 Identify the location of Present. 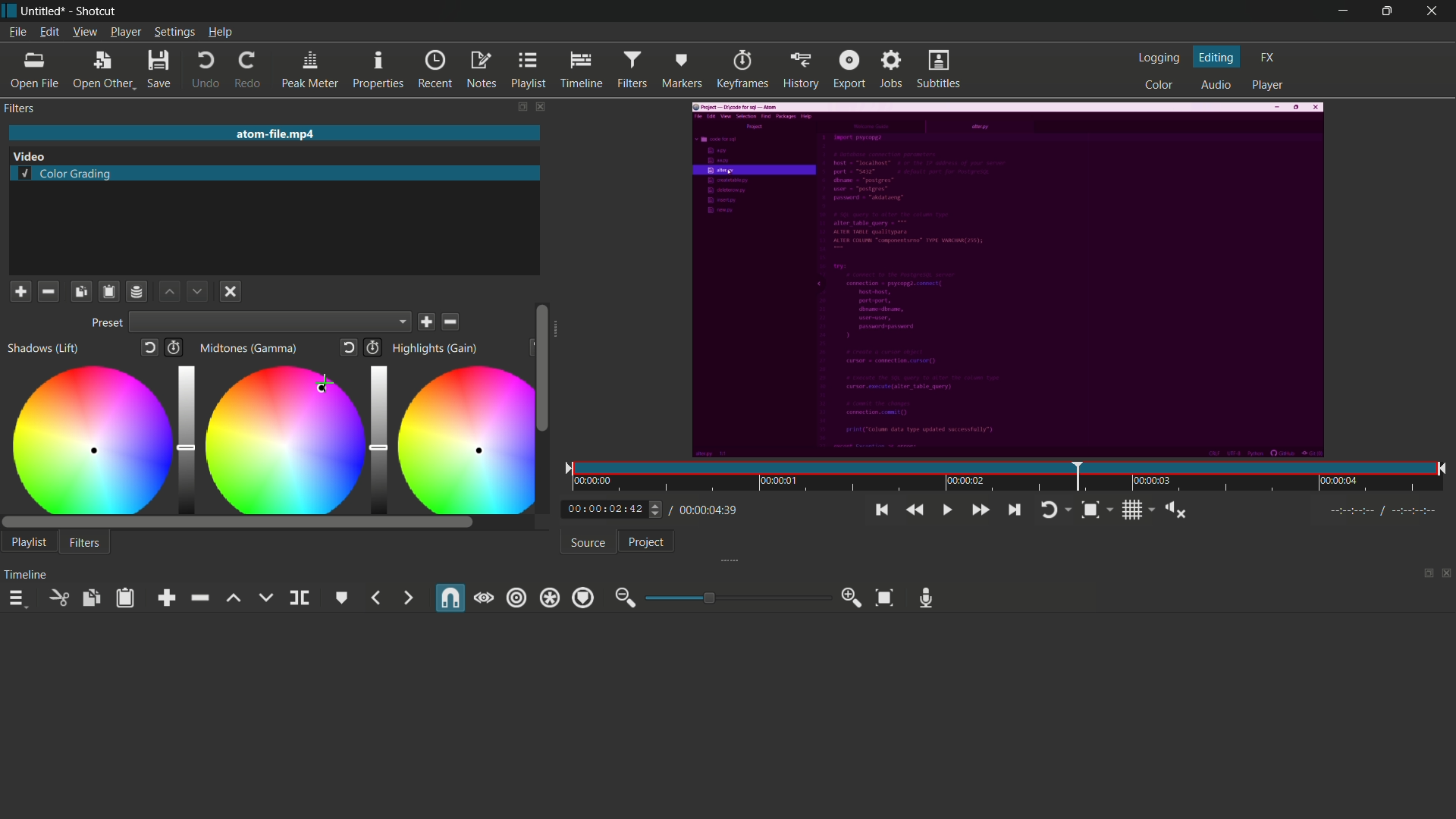
(105, 324).